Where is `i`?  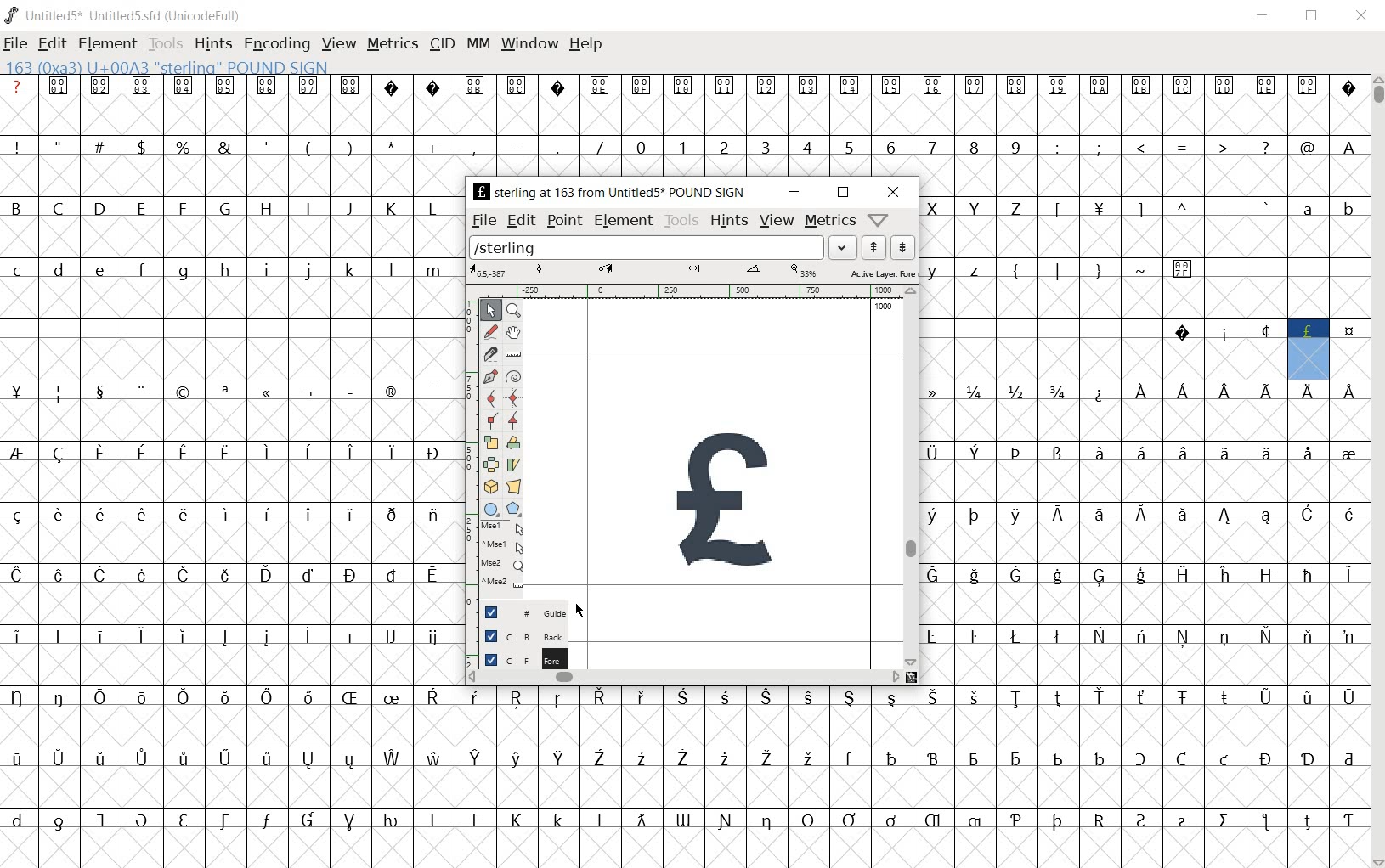 i is located at coordinates (266, 271).